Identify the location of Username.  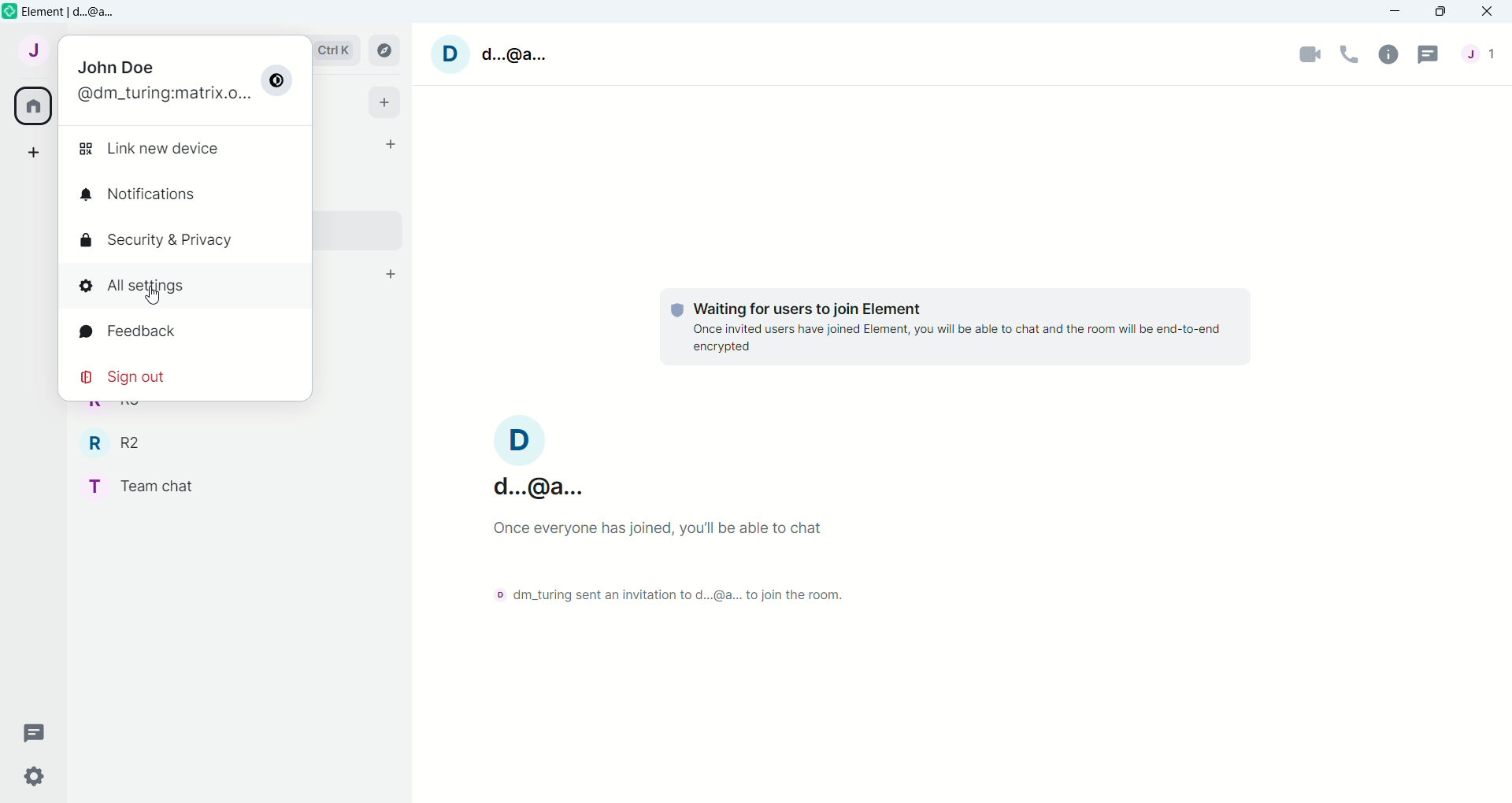
(536, 455).